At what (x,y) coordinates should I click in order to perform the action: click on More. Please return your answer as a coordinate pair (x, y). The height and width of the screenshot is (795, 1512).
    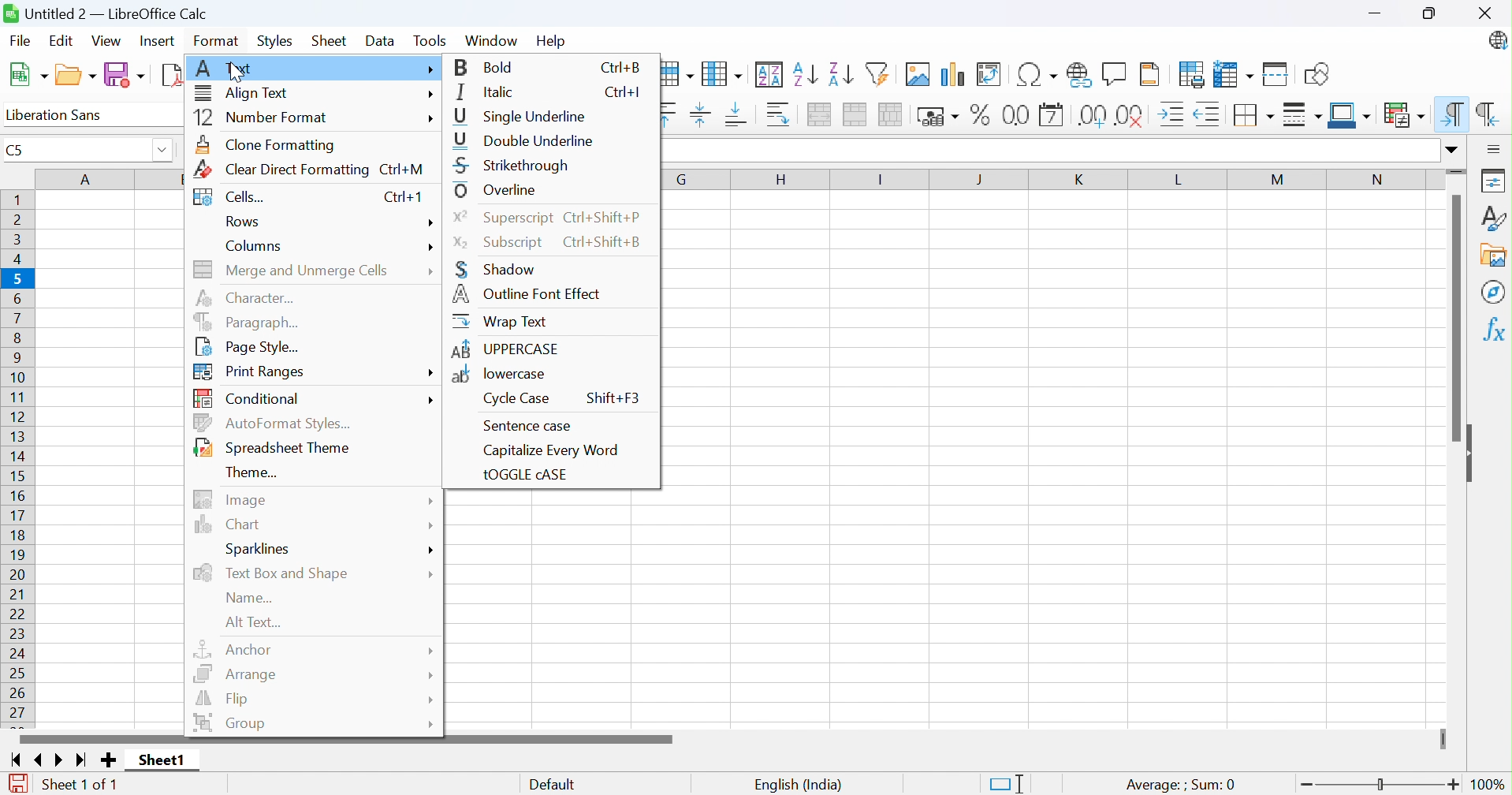
    Looking at the image, I should click on (429, 725).